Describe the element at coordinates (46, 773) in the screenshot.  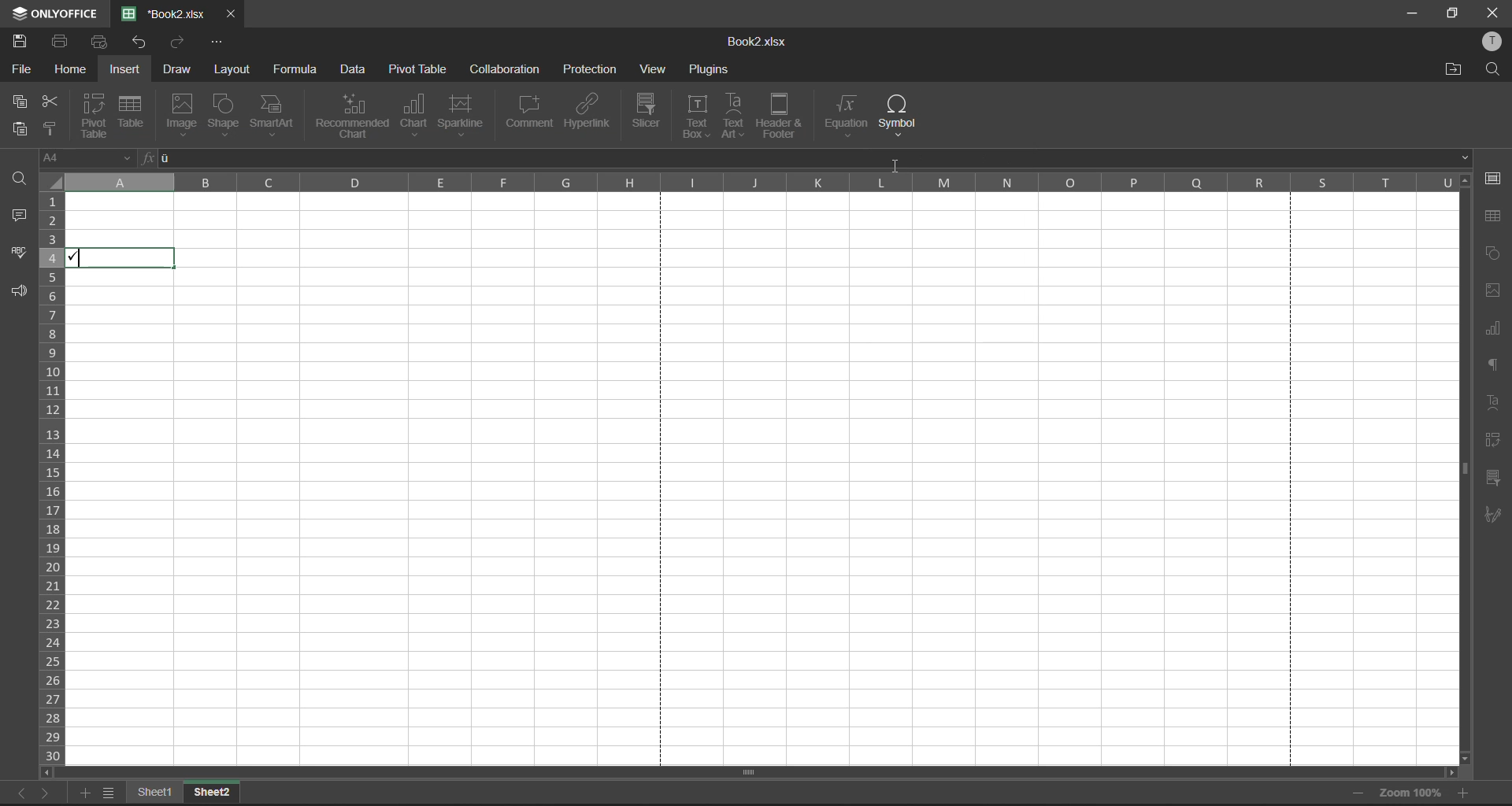
I see `scroll left` at that location.